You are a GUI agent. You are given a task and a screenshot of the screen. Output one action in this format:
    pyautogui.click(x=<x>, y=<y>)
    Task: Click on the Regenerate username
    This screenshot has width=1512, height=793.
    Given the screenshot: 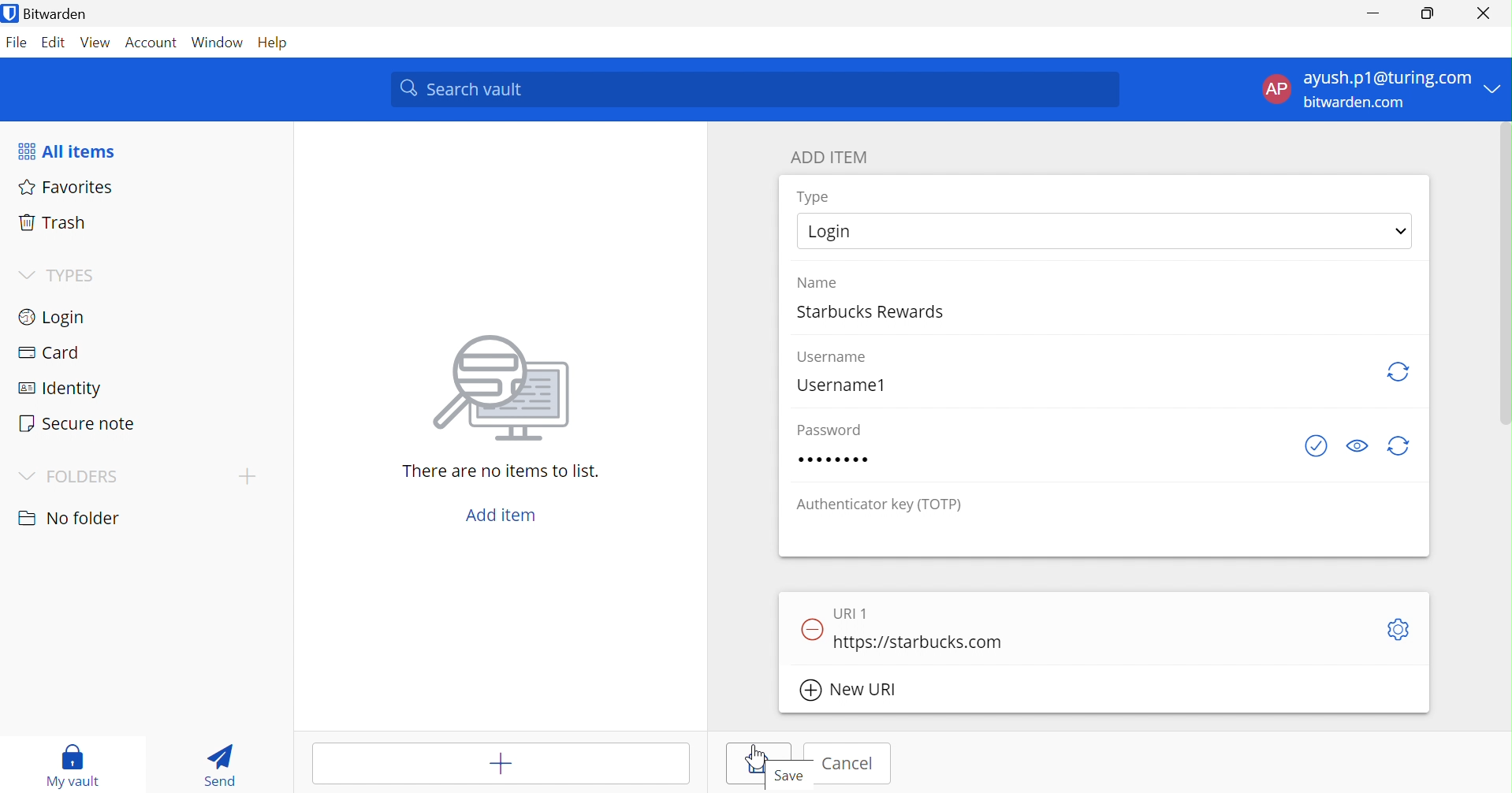 What is the action you would take?
    pyautogui.click(x=1397, y=372)
    